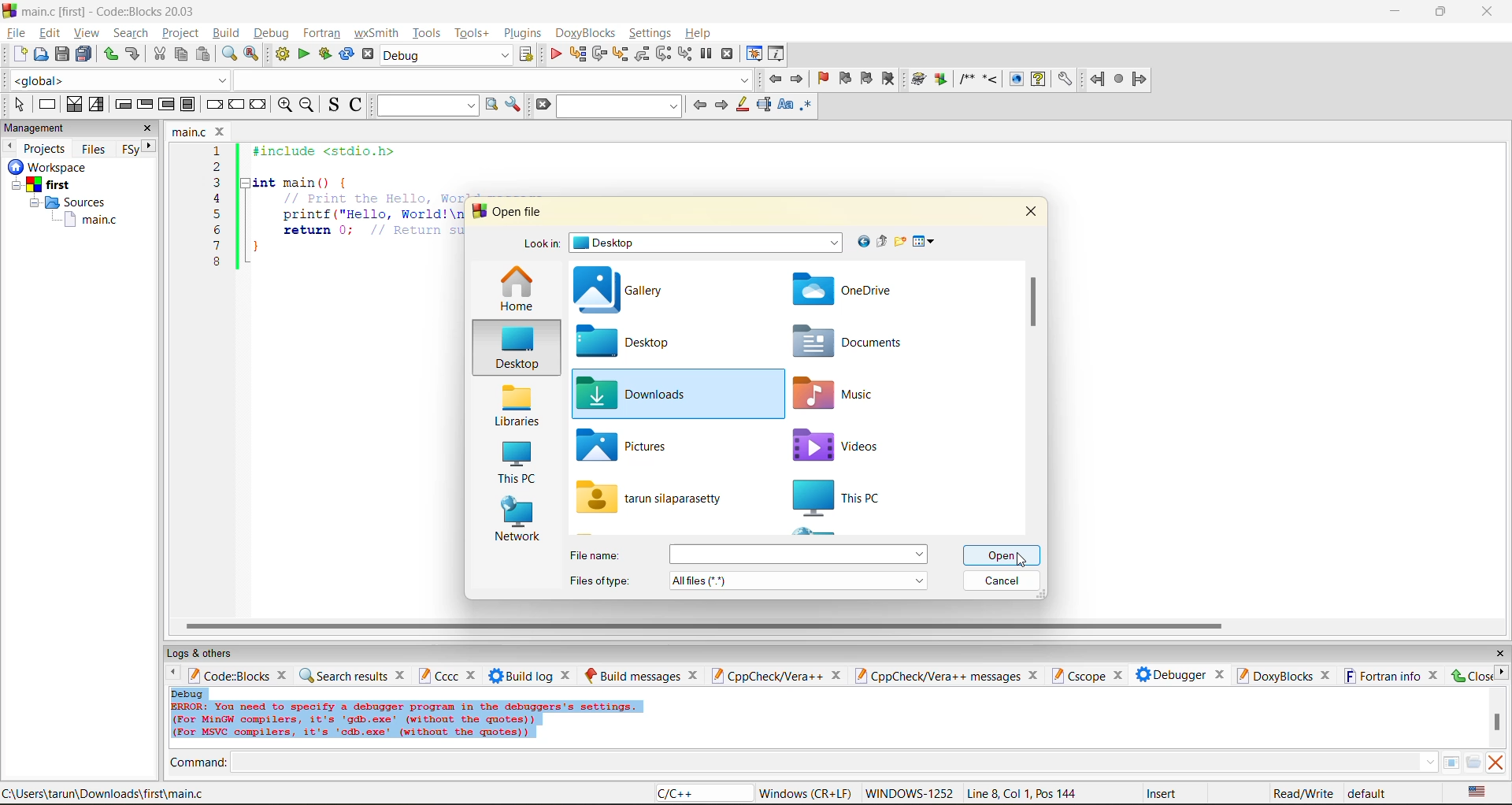 Image resolution: width=1512 pixels, height=805 pixels. Describe the element at coordinates (1451, 762) in the screenshot. I see `tables` at that location.